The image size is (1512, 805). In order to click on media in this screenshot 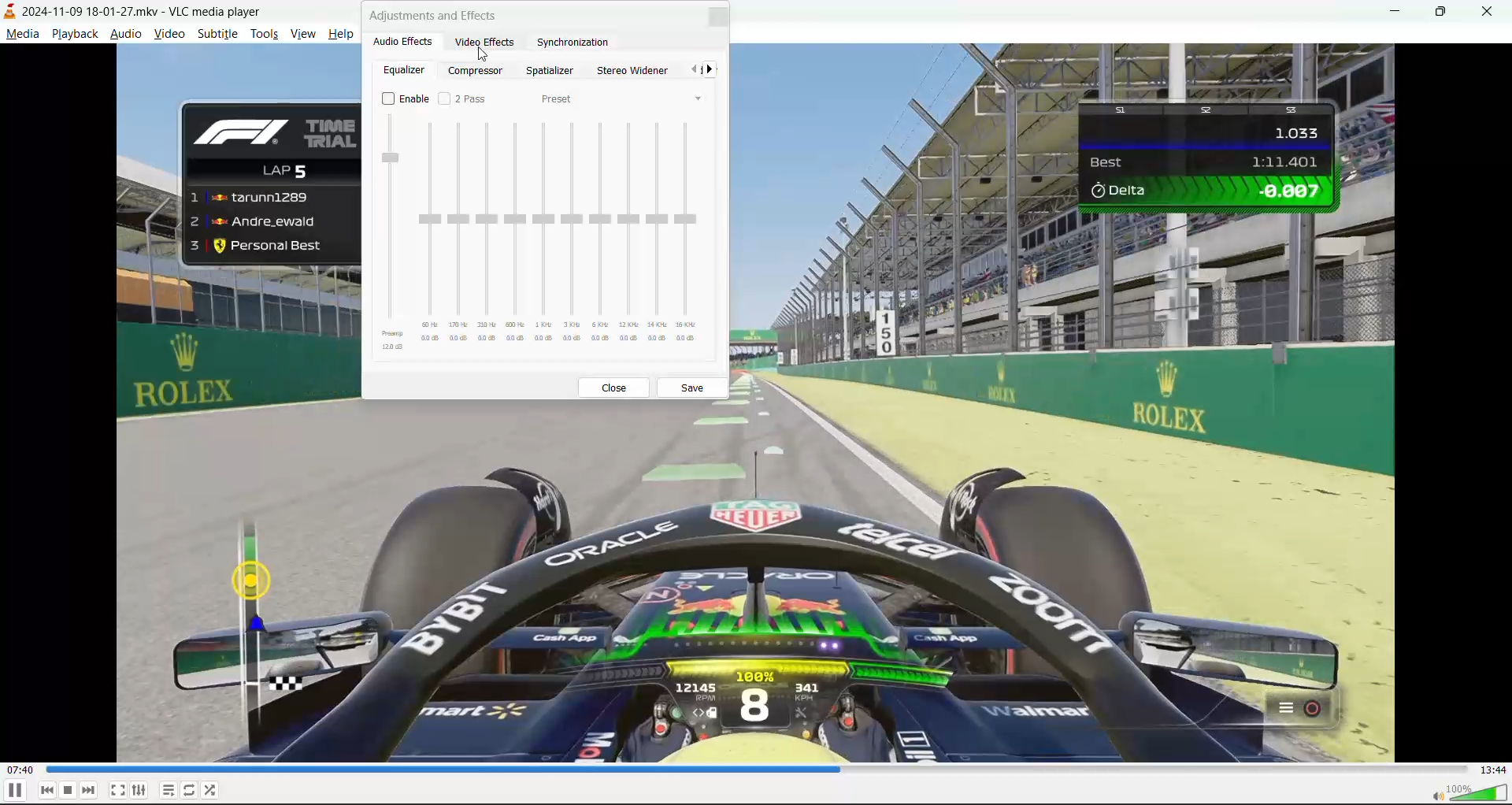, I will do `click(20, 34)`.